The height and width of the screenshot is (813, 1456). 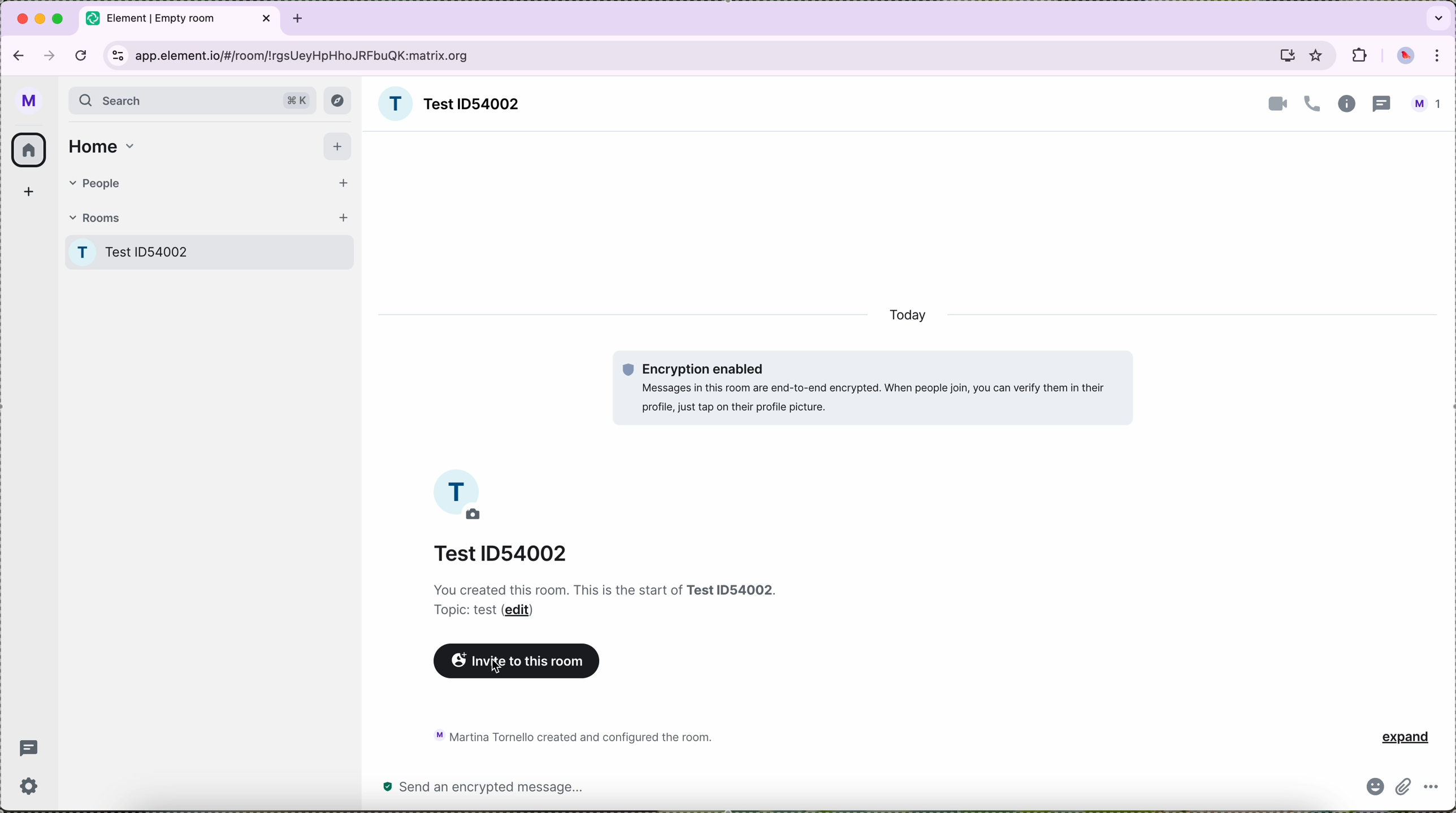 I want to click on expand, so click(x=1401, y=736).